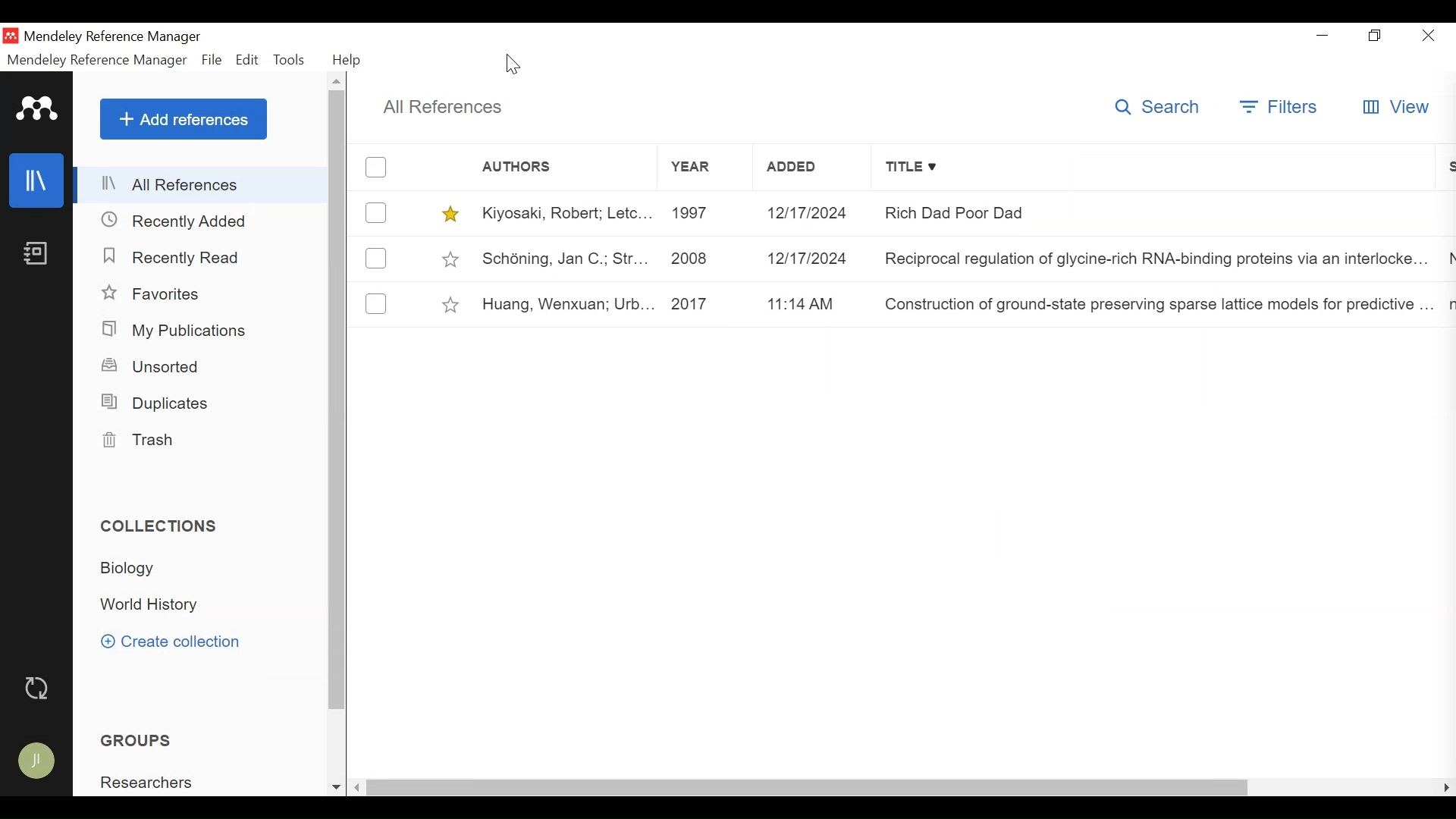 The image size is (1456, 819). What do you see at coordinates (1395, 108) in the screenshot?
I see `View` at bounding box center [1395, 108].